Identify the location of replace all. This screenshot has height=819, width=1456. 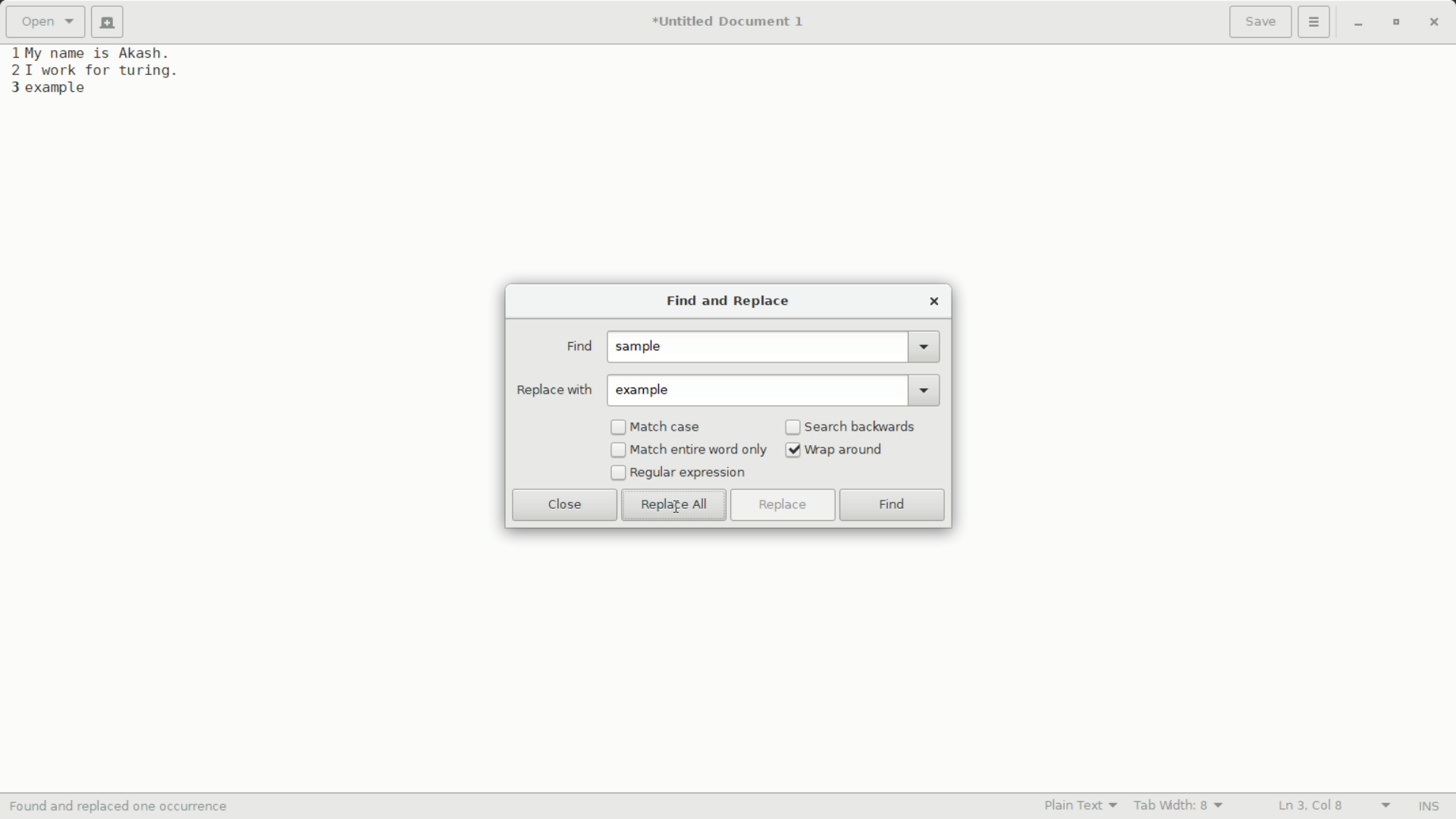
(673, 505).